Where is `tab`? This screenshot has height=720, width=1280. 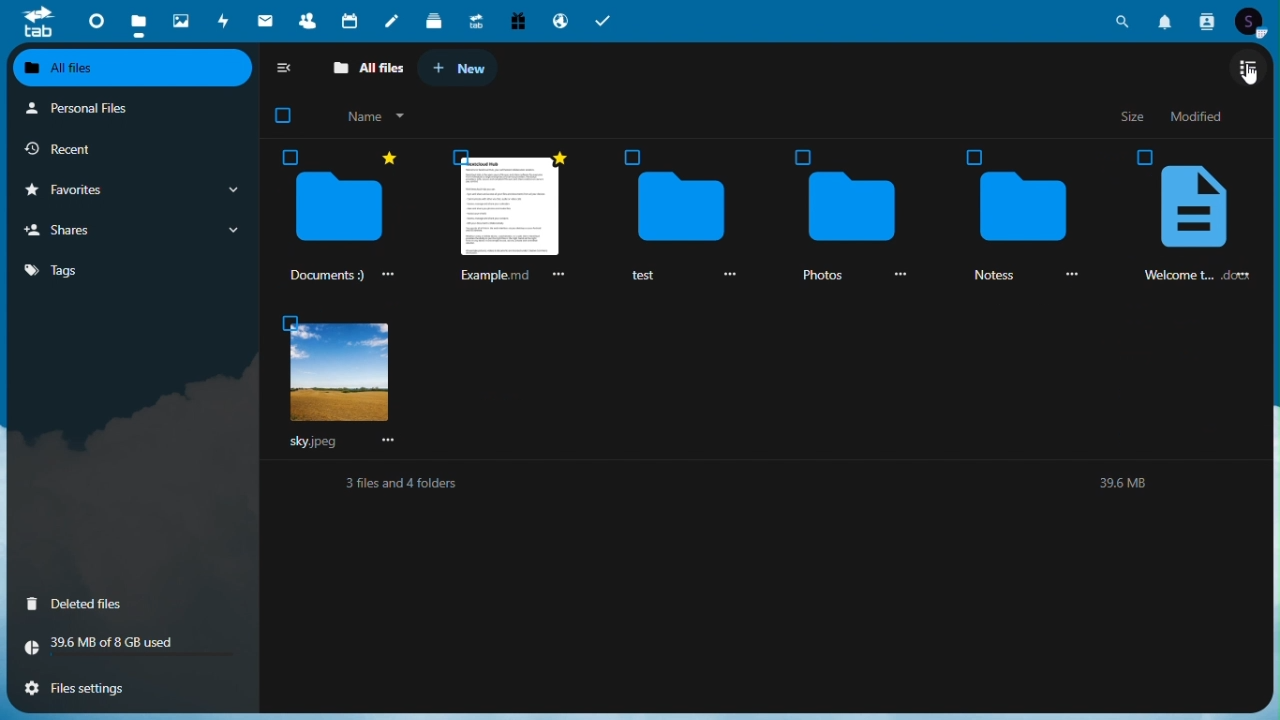
tab is located at coordinates (34, 23).